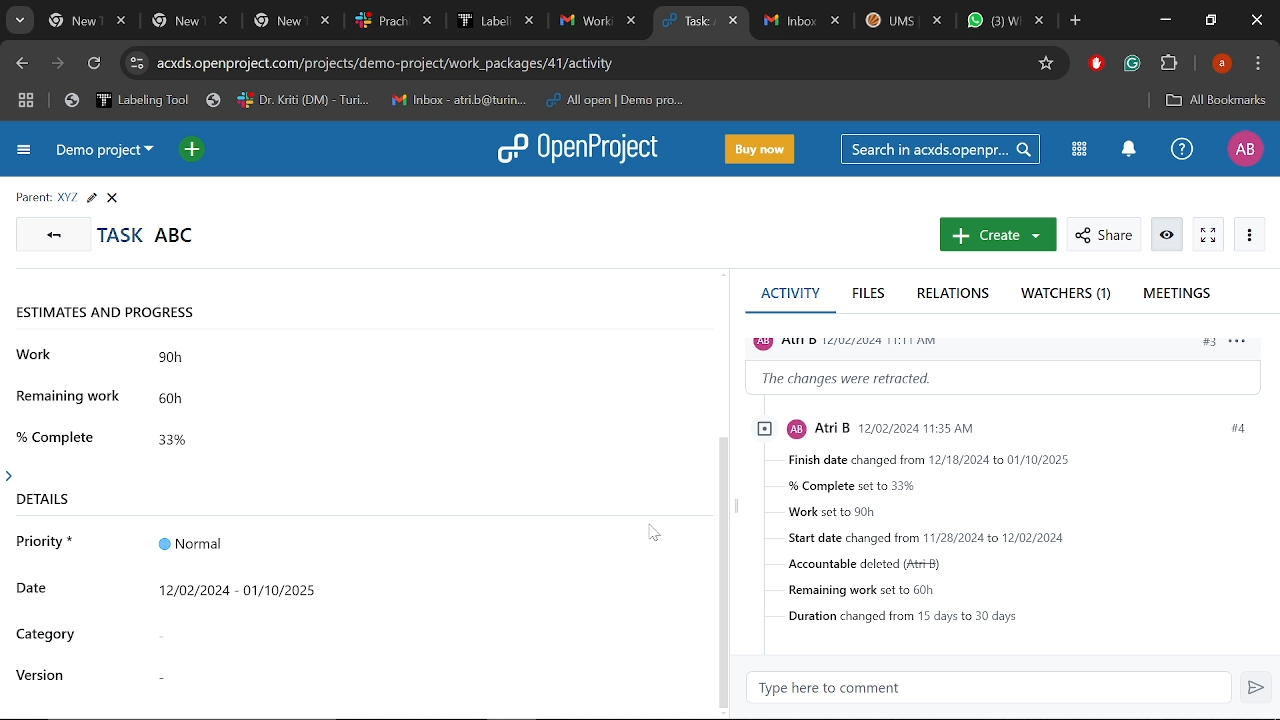  Describe the element at coordinates (1243, 149) in the screenshot. I see `Profile` at that location.